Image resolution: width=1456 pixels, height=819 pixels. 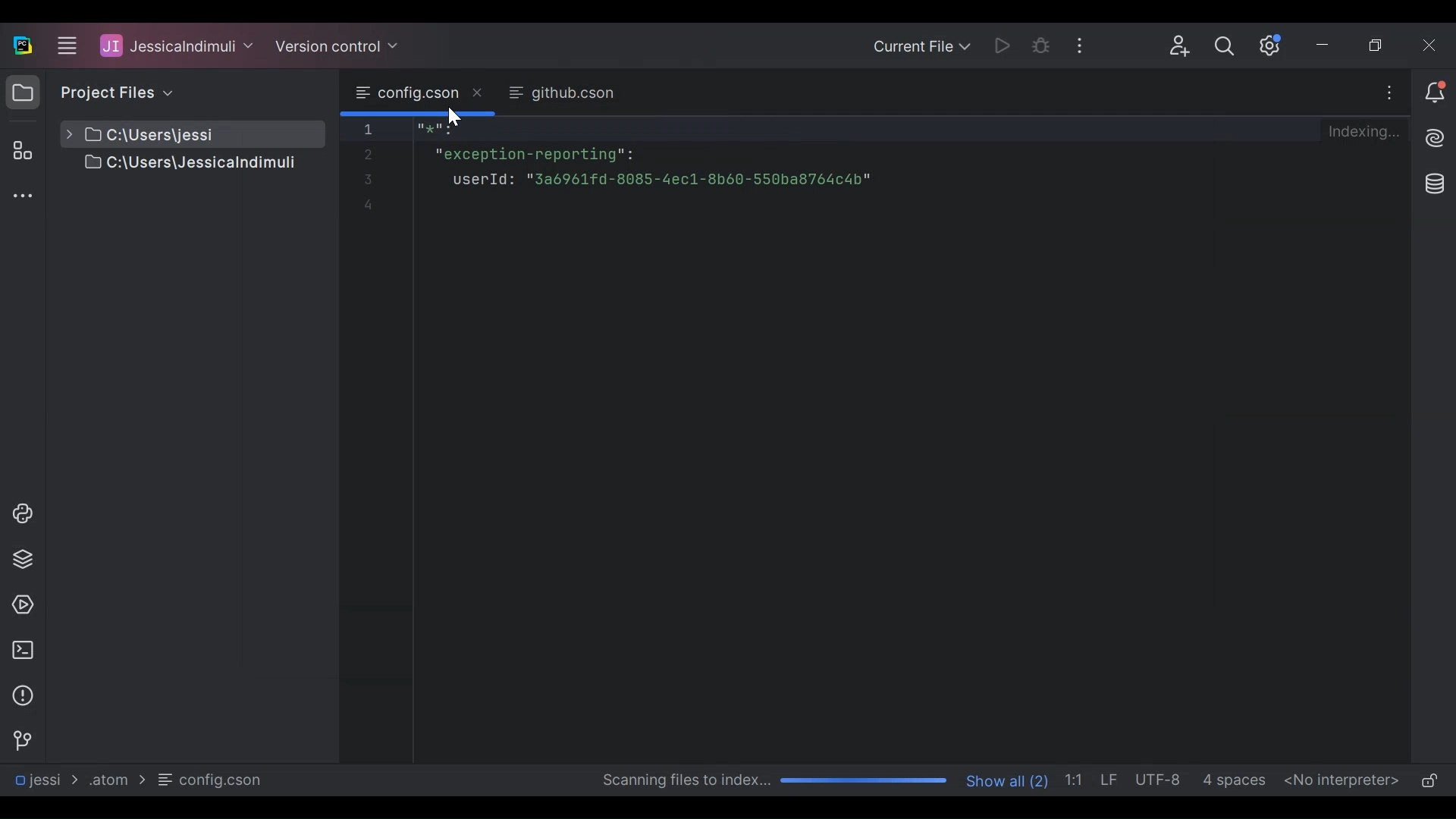 I want to click on Restore, so click(x=1379, y=45).